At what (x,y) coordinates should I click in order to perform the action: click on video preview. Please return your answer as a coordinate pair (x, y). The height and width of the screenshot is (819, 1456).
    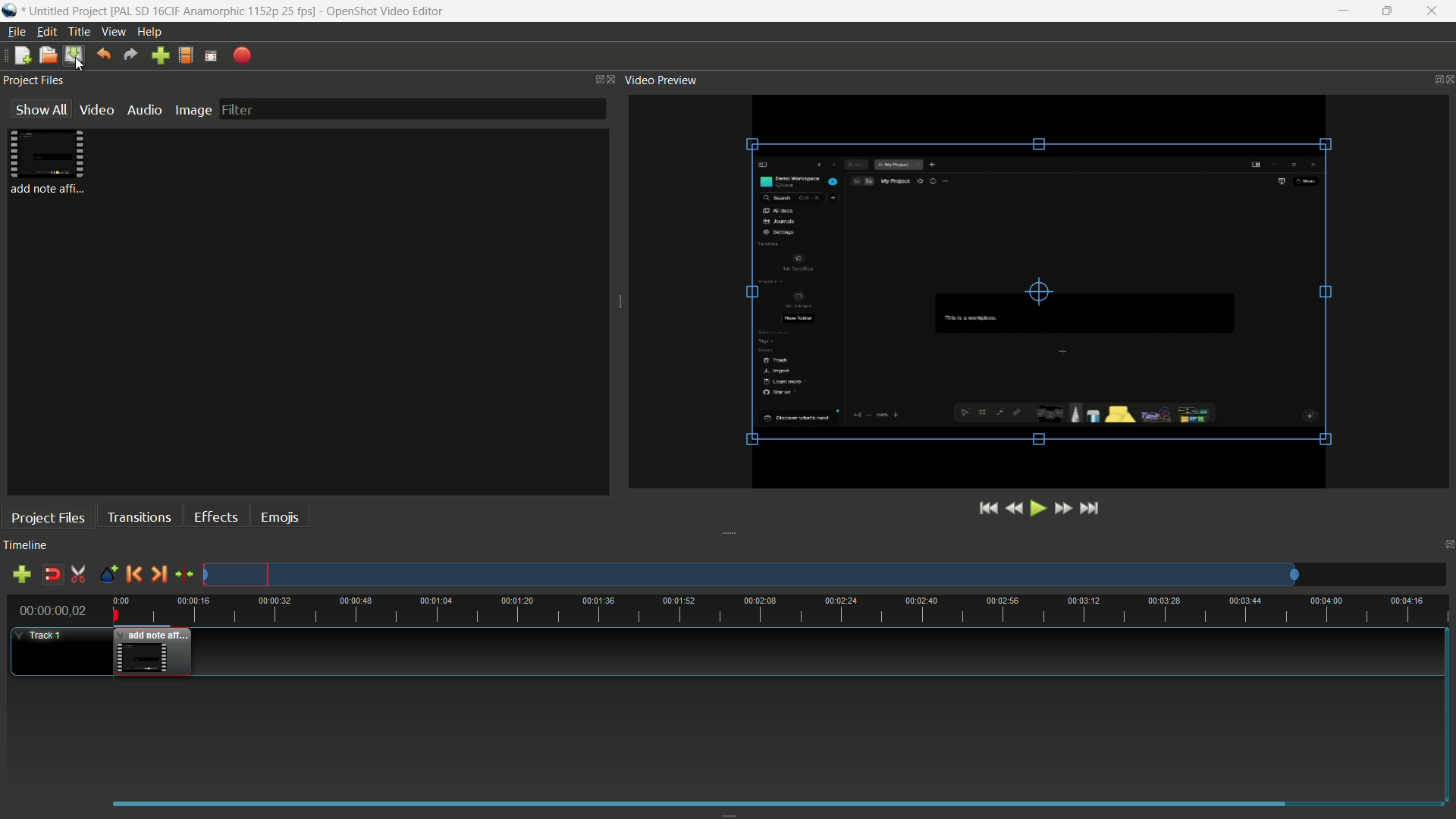
    Looking at the image, I should click on (1039, 290).